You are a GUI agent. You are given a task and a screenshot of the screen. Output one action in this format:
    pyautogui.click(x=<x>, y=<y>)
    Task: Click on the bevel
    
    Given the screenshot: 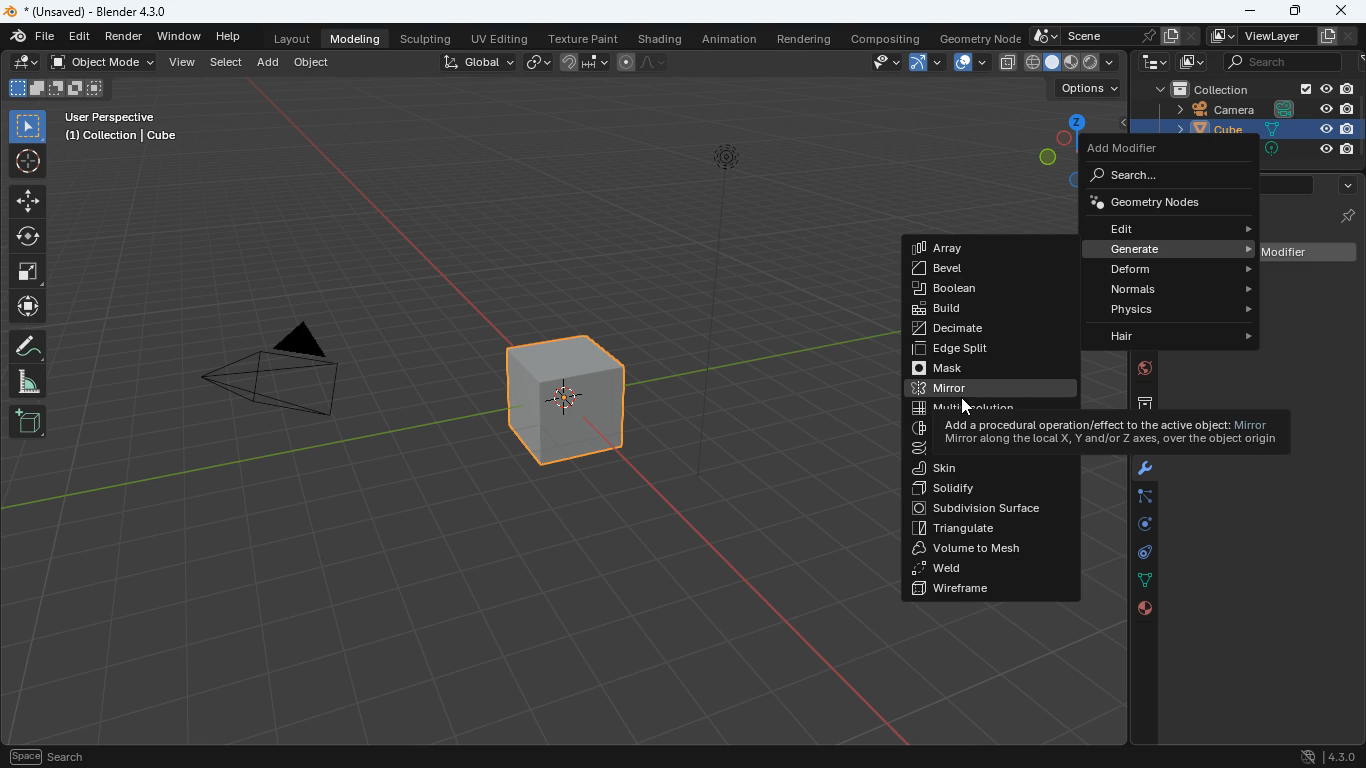 What is the action you would take?
    pyautogui.click(x=972, y=269)
    